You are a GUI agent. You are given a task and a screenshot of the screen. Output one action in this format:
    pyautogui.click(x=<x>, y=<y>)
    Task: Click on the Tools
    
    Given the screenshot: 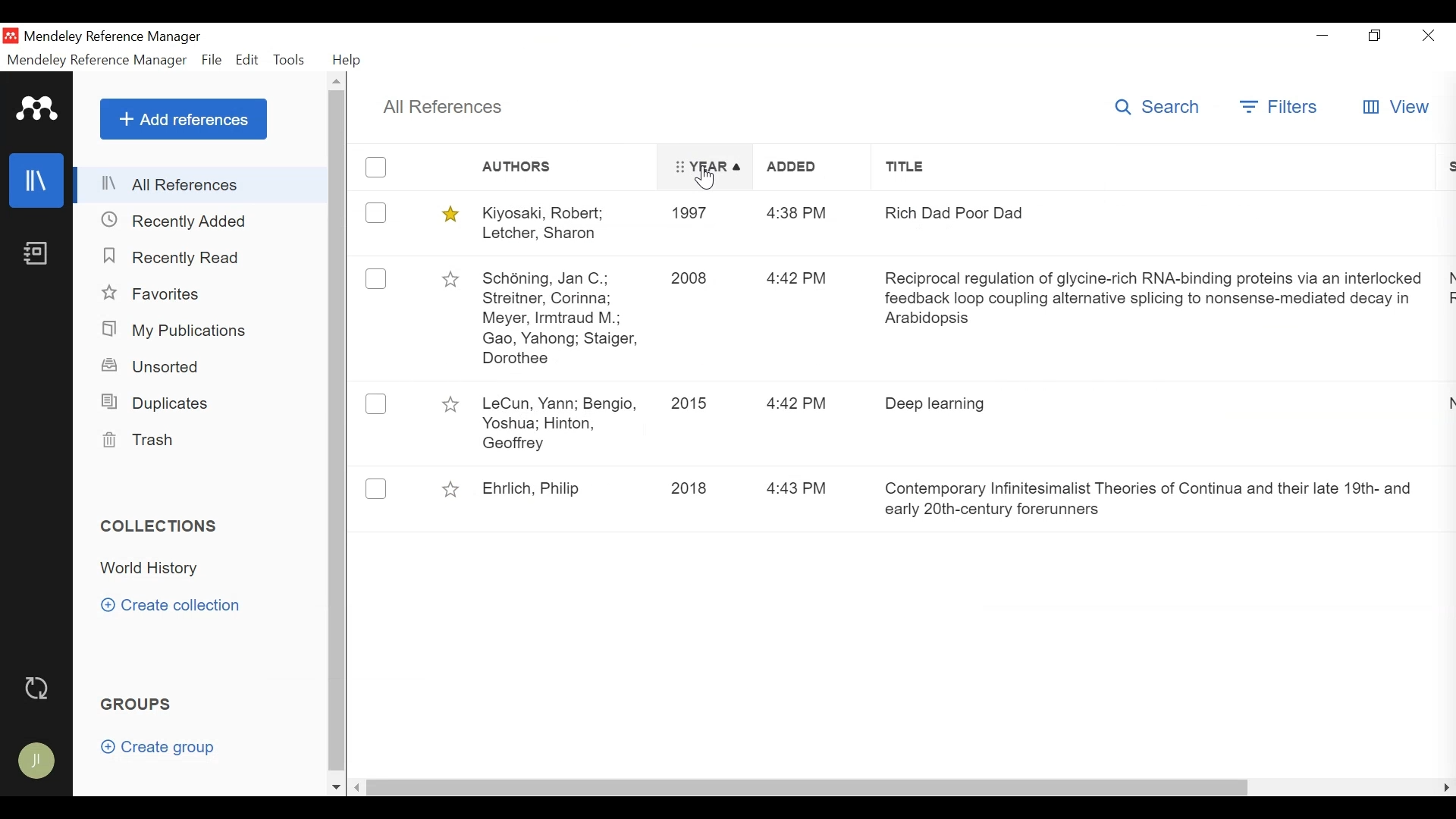 What is the action you would take?
    pyautogui.click(x=288, y=60)
    